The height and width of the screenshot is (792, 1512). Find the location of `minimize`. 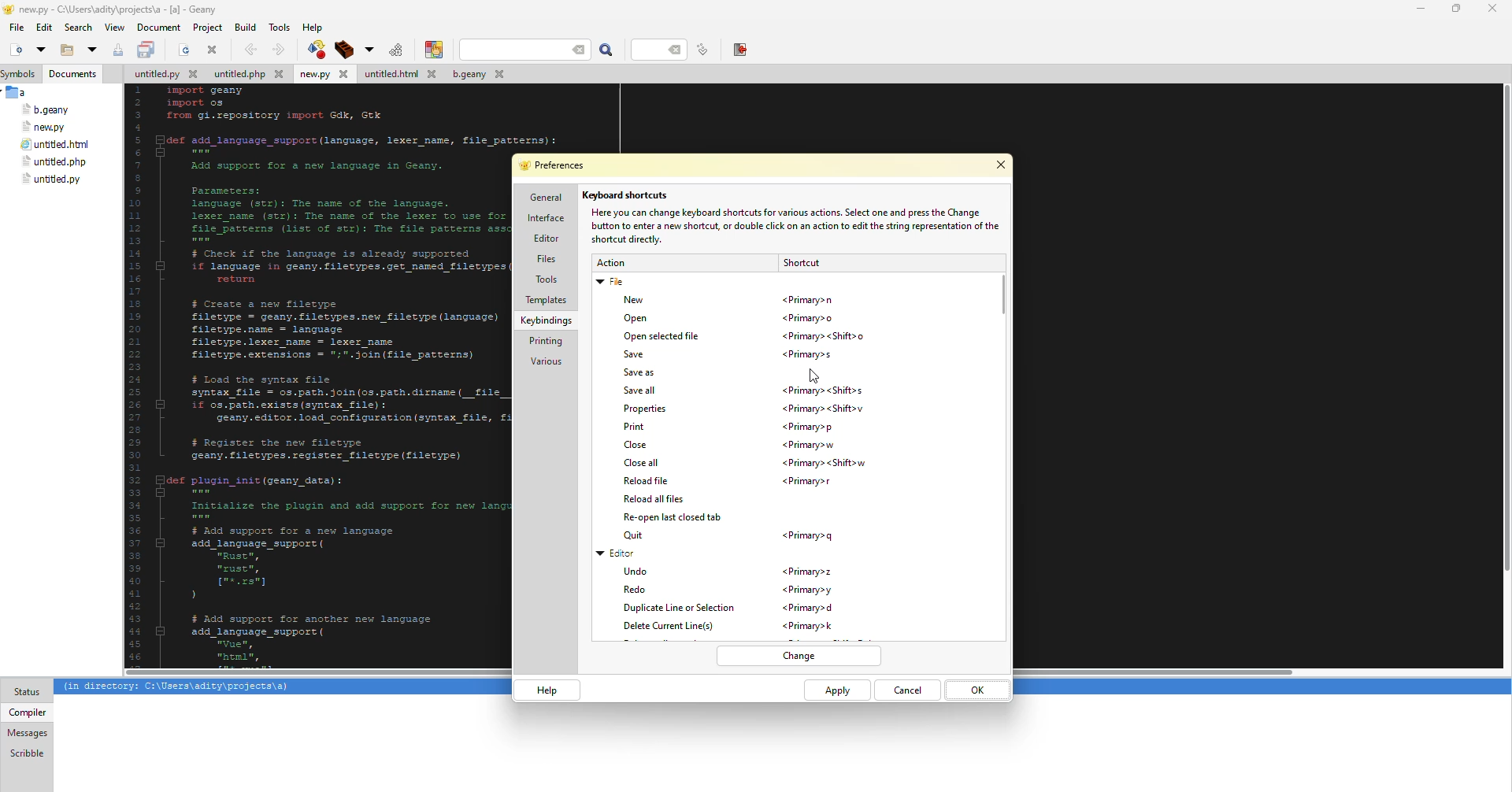

minimize is located at coordinates (1418, 9).